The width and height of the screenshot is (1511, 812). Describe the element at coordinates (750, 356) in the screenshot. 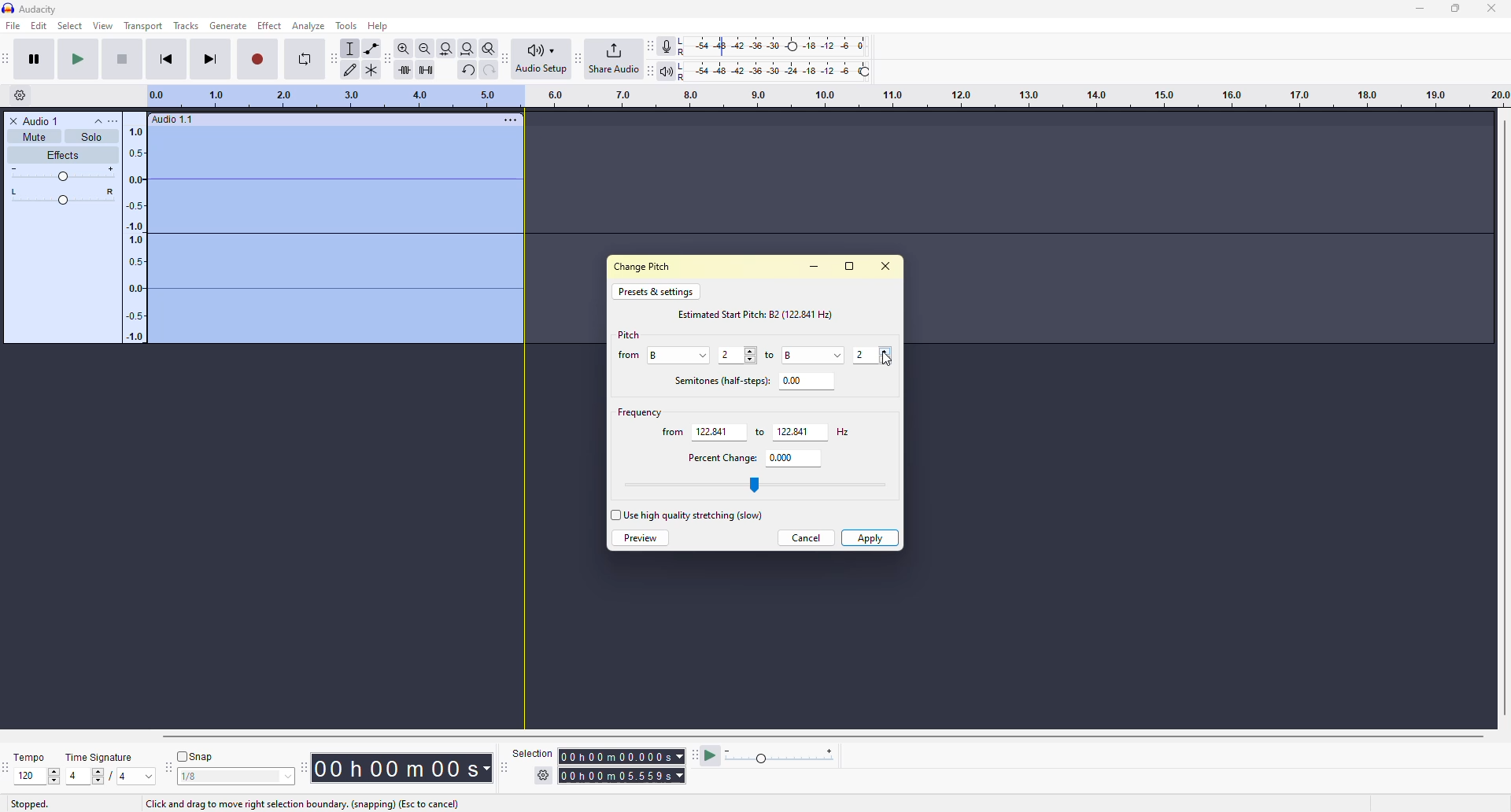

I see `adjust` at that location.